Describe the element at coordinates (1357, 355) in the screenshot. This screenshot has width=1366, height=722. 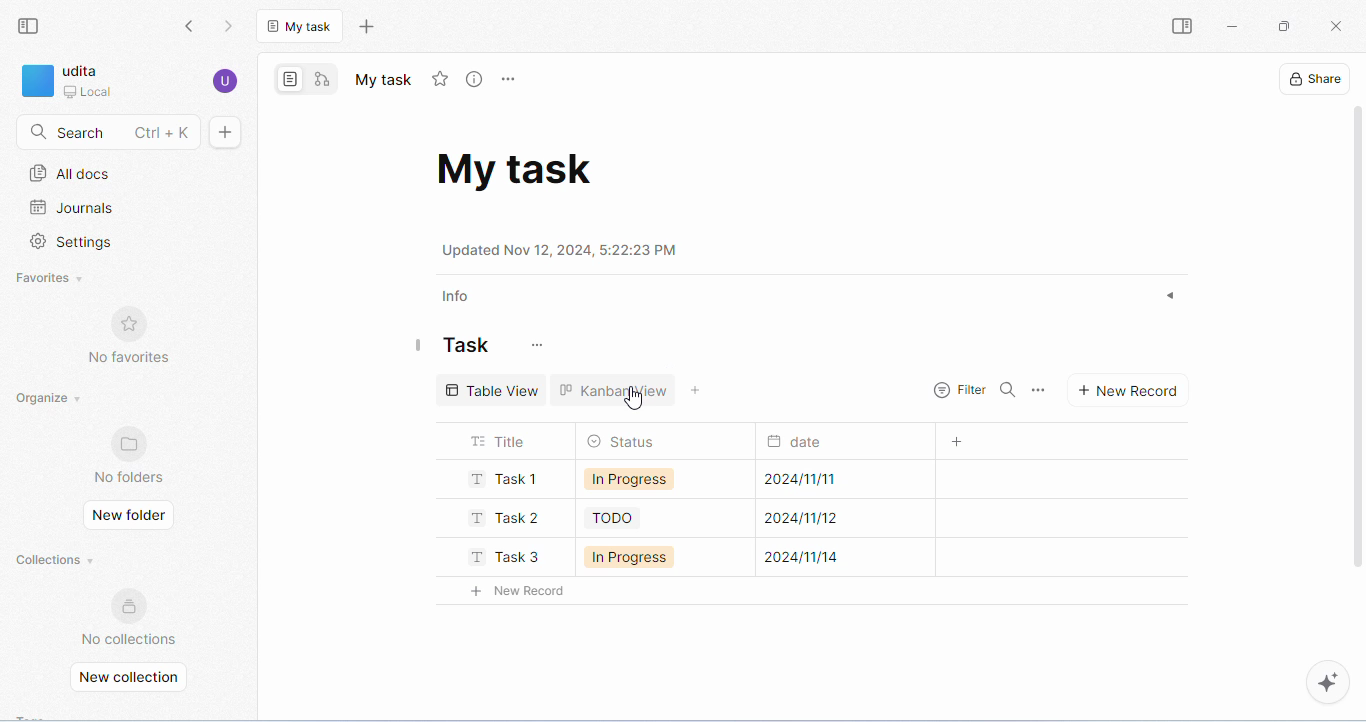
I see `vertical scroll bar` at that location.